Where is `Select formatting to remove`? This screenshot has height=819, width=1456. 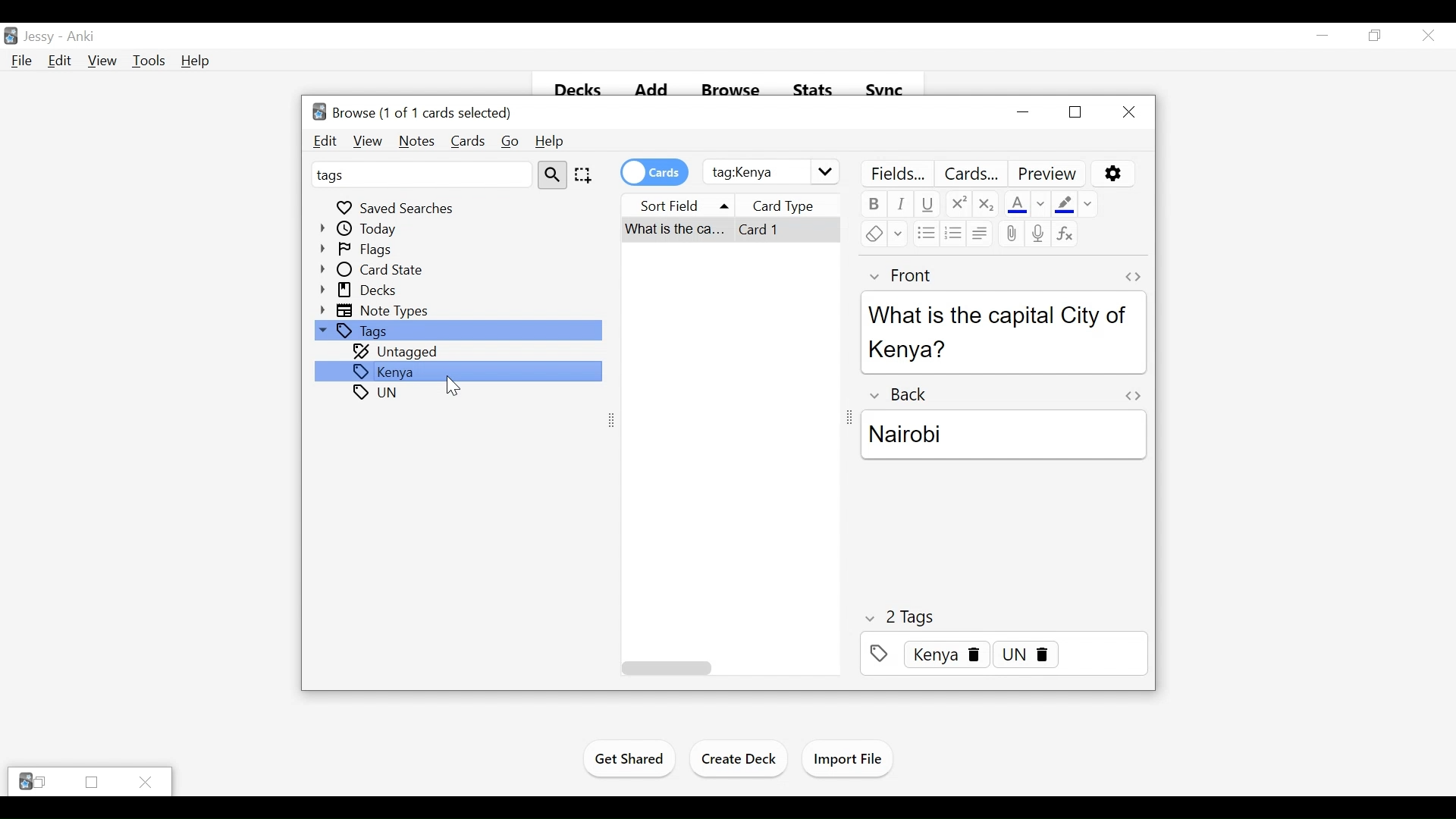 Select formatting to remove is located at coordinates (898, 234).